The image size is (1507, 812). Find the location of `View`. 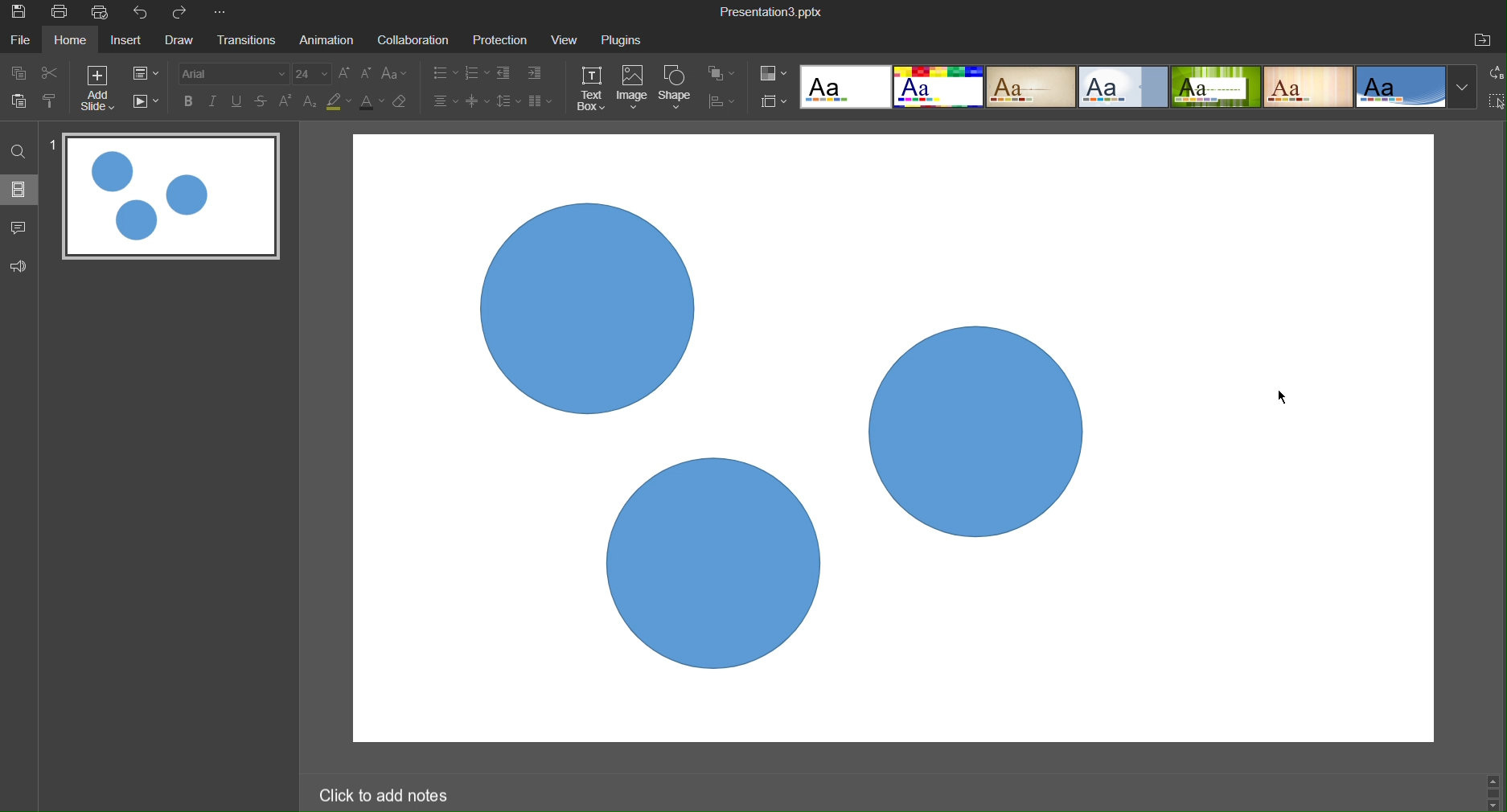

View is located at coordinates (566, 40).